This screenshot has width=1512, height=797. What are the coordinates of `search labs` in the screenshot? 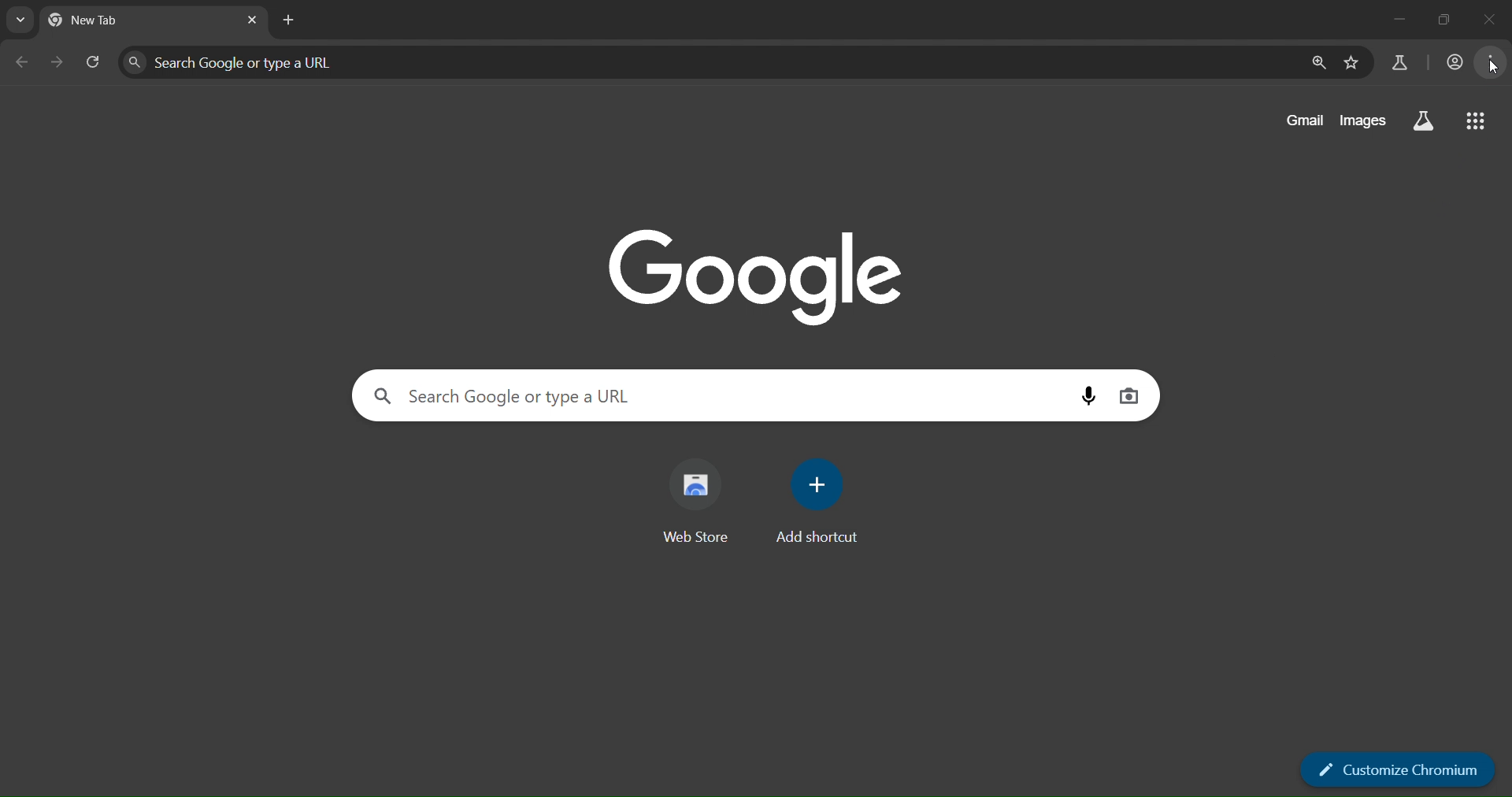 It's located at (1402, 64).